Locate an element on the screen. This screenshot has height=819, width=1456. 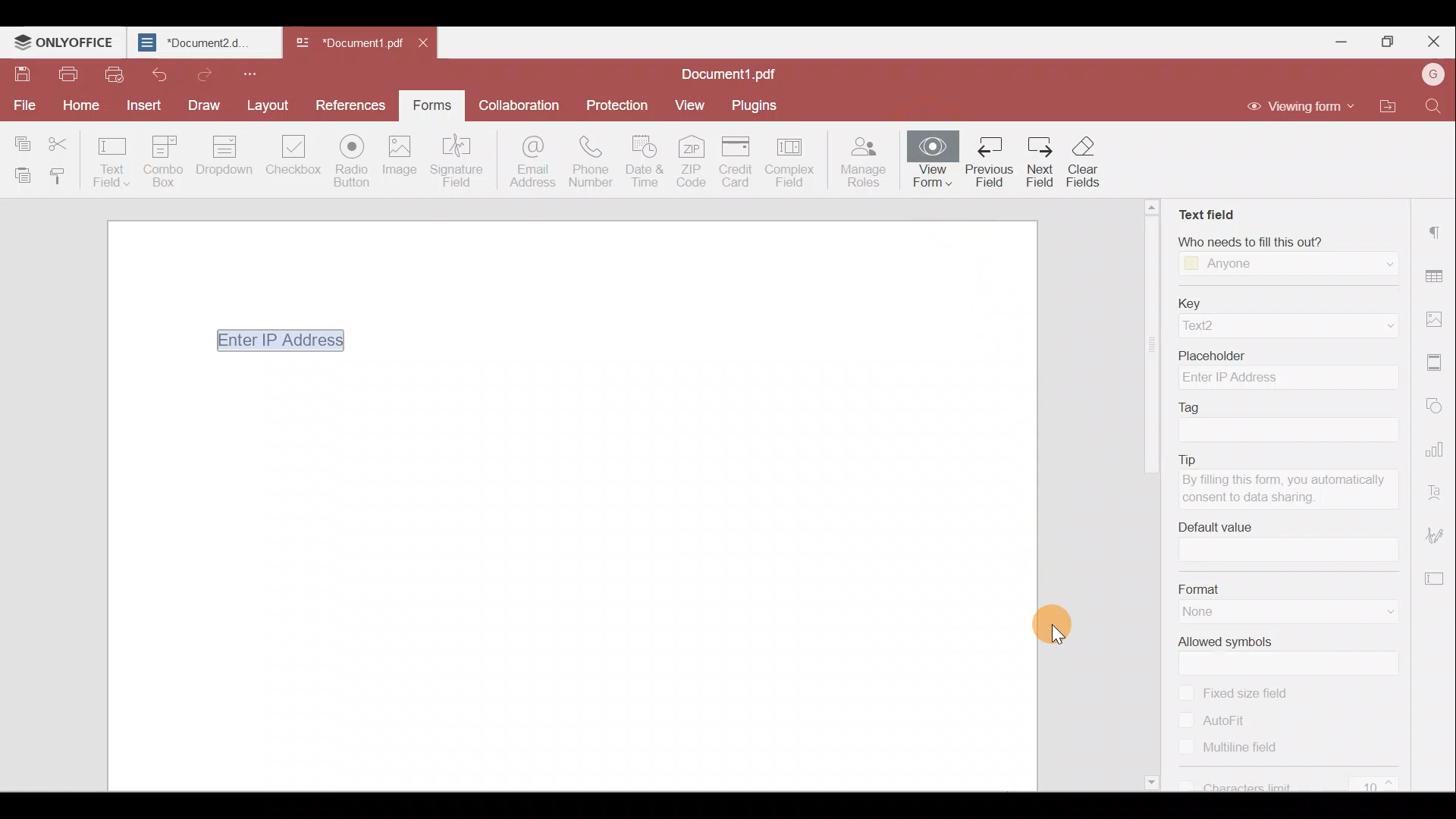
Text2 is located at coordinates (1222, 326).